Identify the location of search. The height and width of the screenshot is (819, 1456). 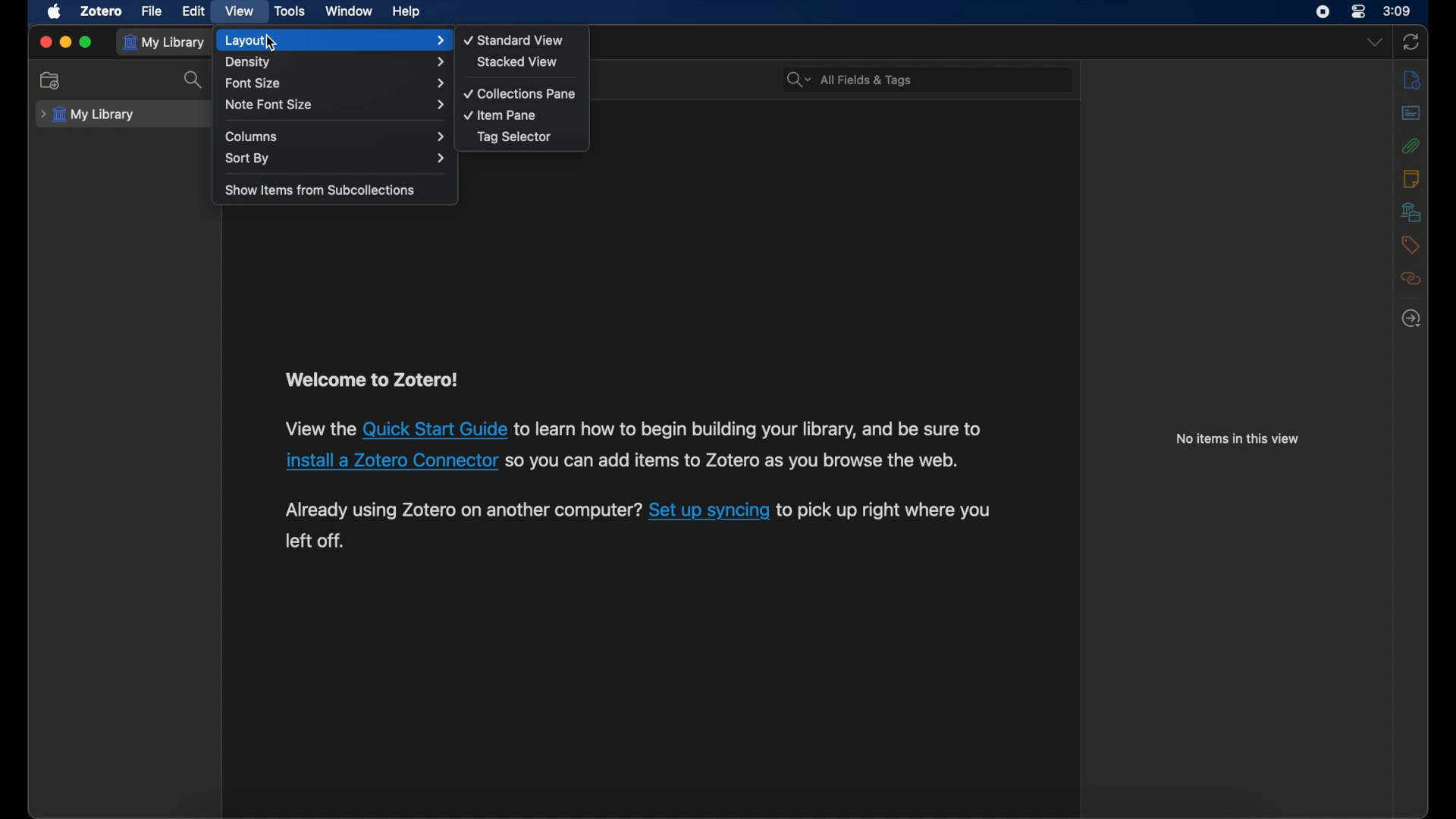
(196, 79).